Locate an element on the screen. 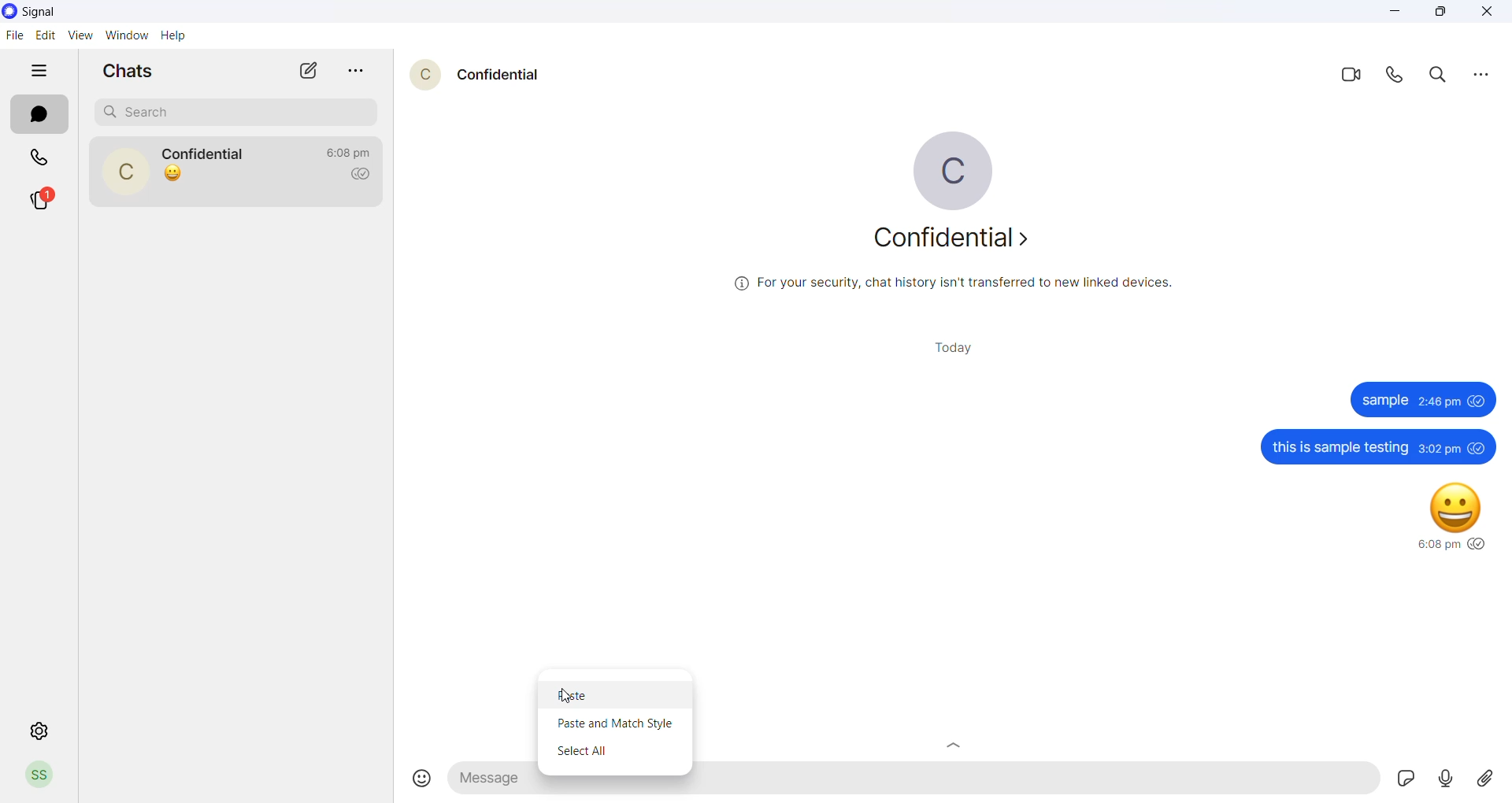  sample is located at coordinates (1421, 400).